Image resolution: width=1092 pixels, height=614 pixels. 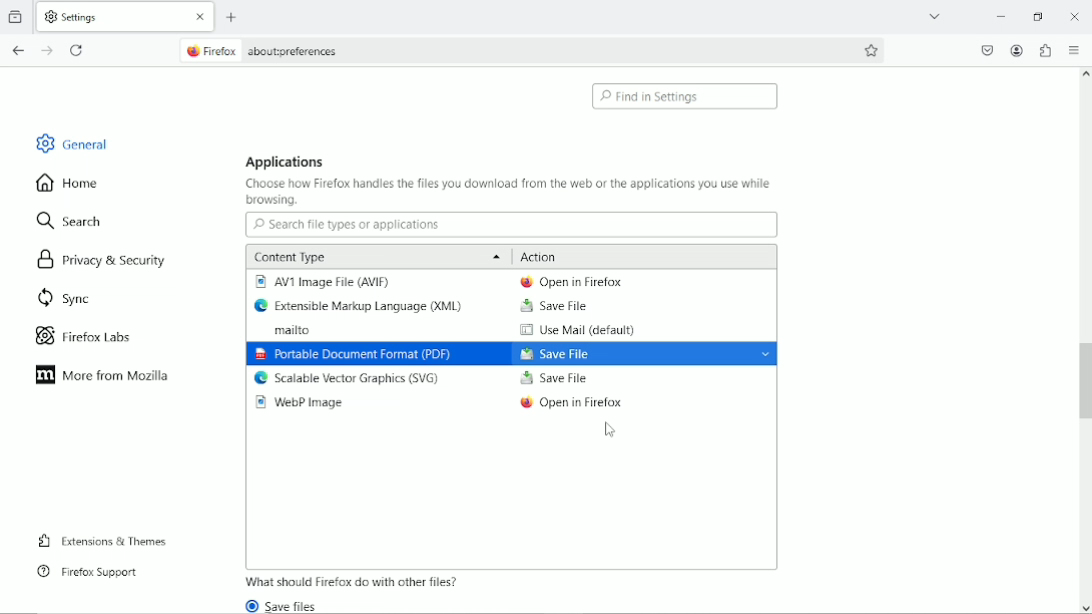 What do you see at coordinates (102, 375) in the screenshot?
I see `More from Mozilla` at bounding box center [102, 375].